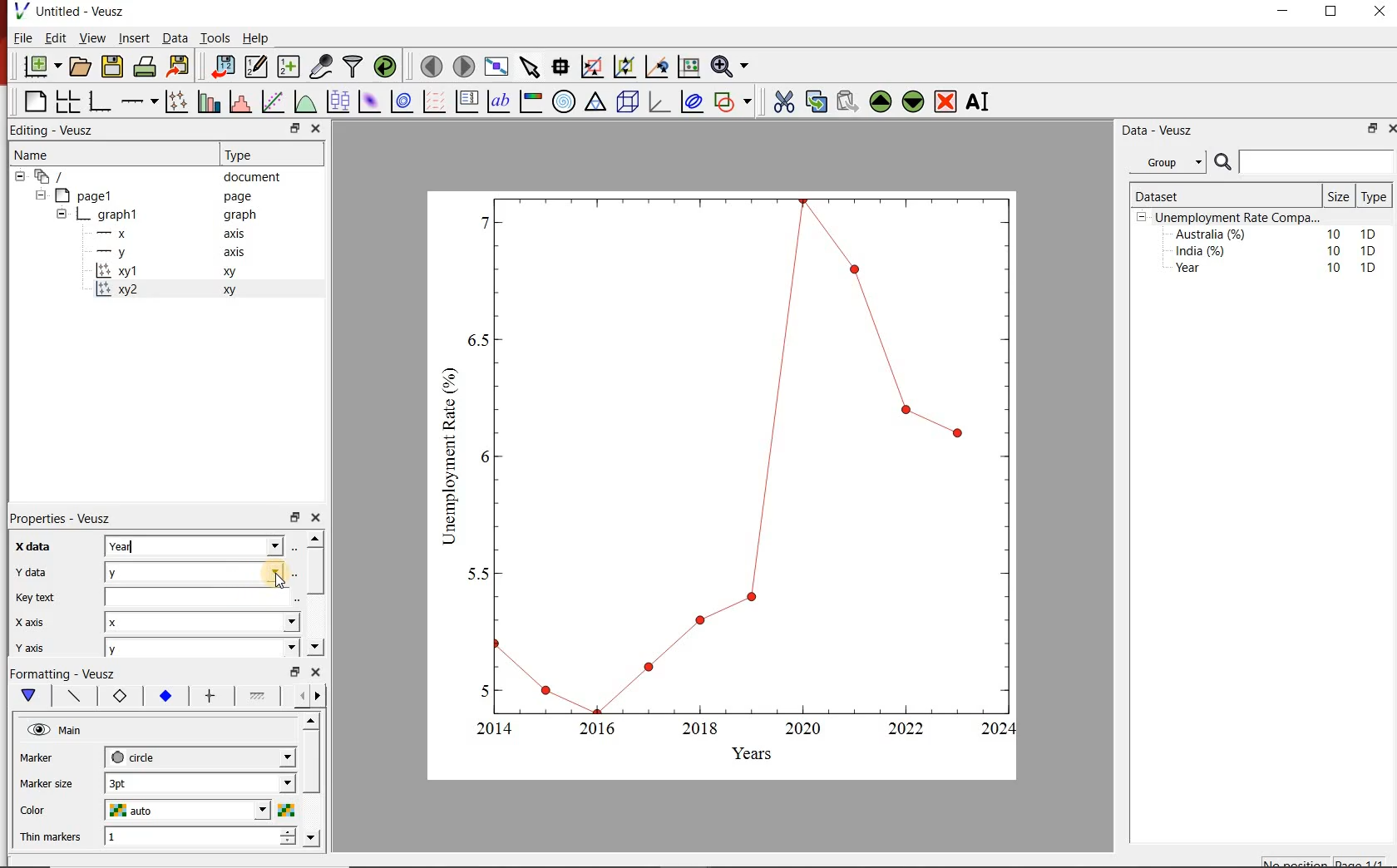  I want to click on read the data points, so click(562, 66).